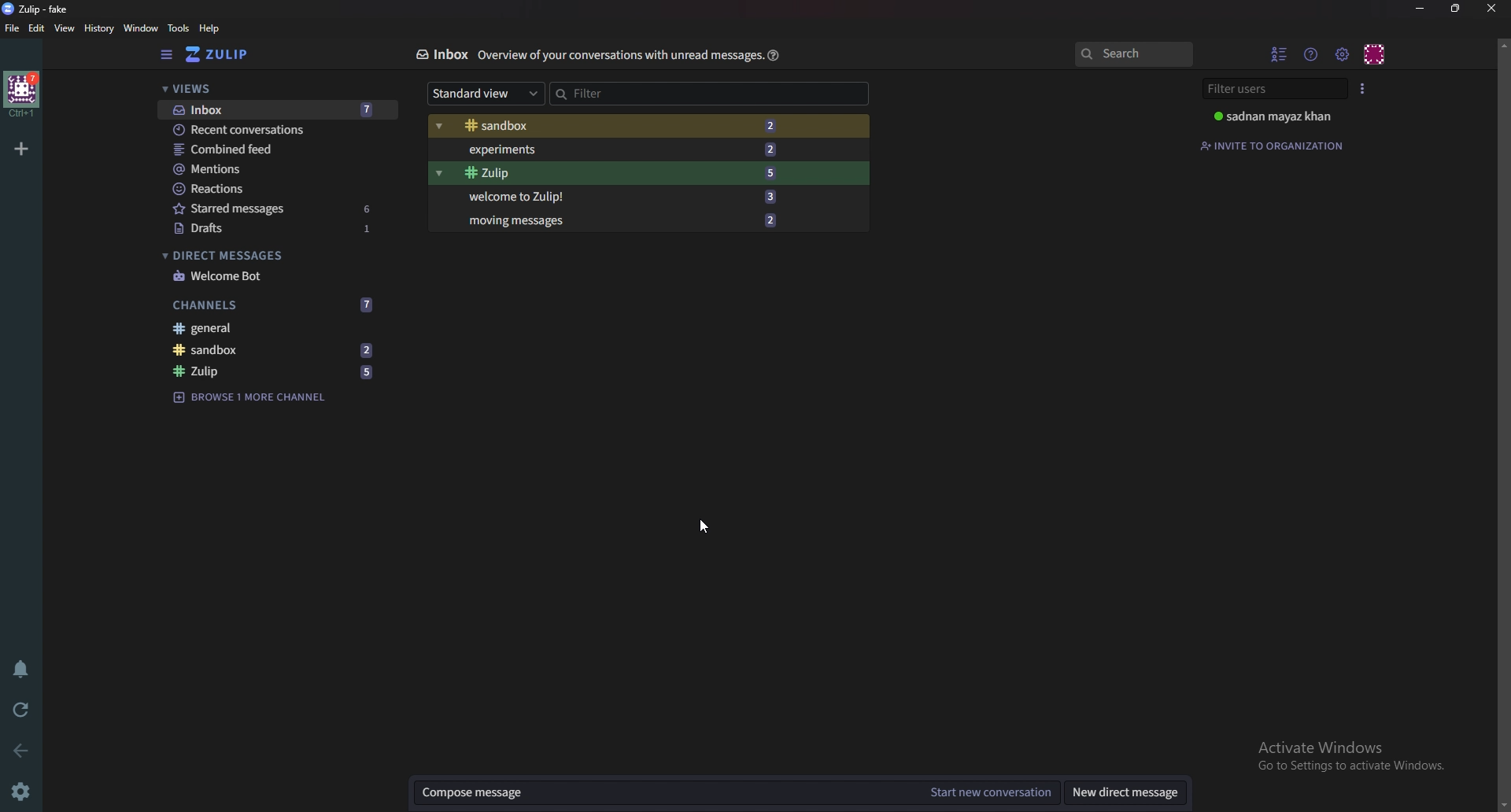  Describe the element at coordinates (21, 147) in the screenshot. I see `Add organization` at that location.